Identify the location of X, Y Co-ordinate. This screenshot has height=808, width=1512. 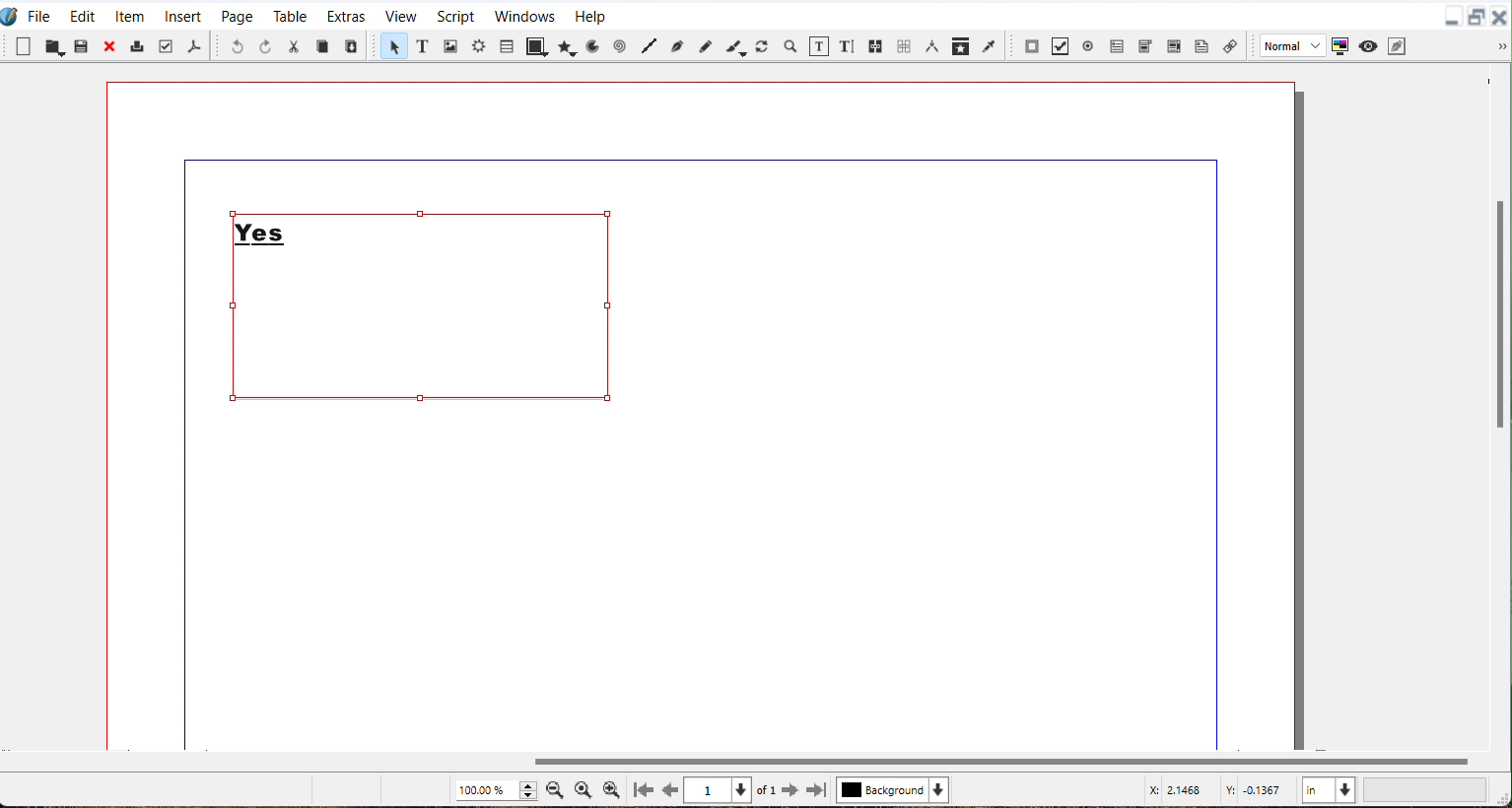
(1218, 790).